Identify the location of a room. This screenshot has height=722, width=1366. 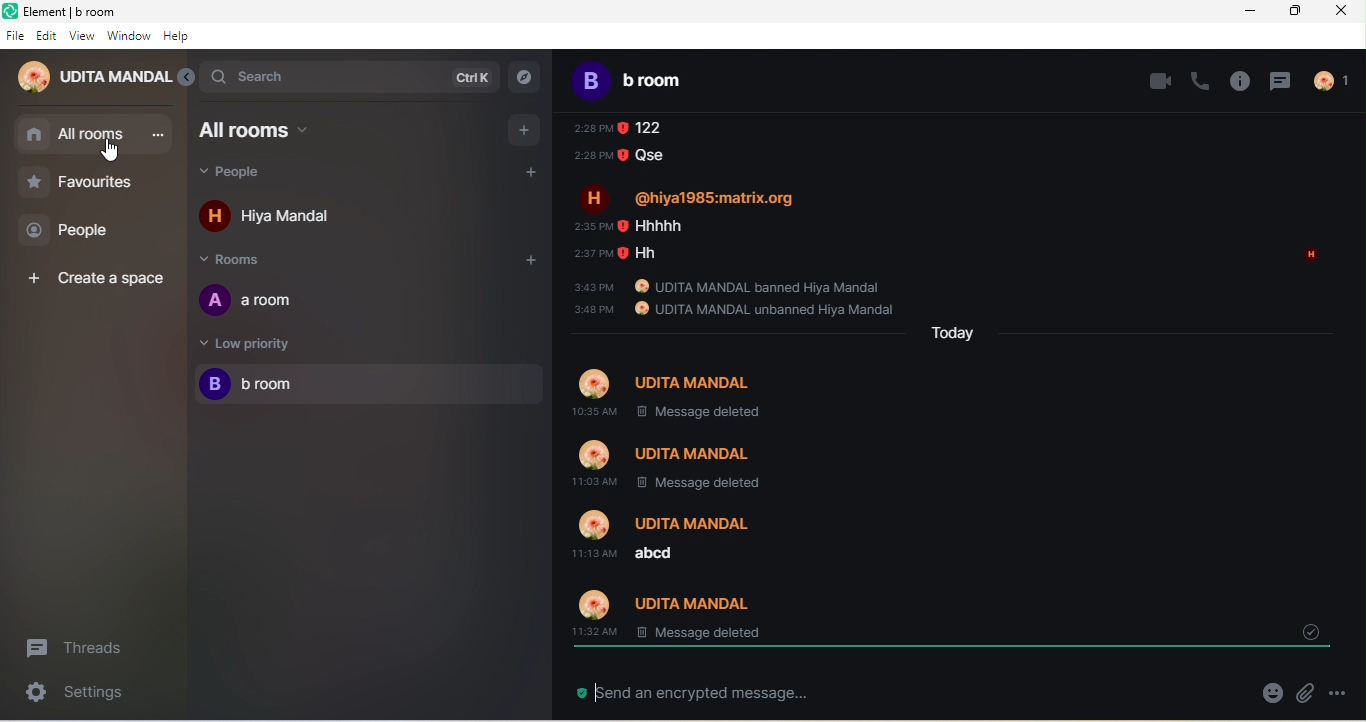
(260, 299).